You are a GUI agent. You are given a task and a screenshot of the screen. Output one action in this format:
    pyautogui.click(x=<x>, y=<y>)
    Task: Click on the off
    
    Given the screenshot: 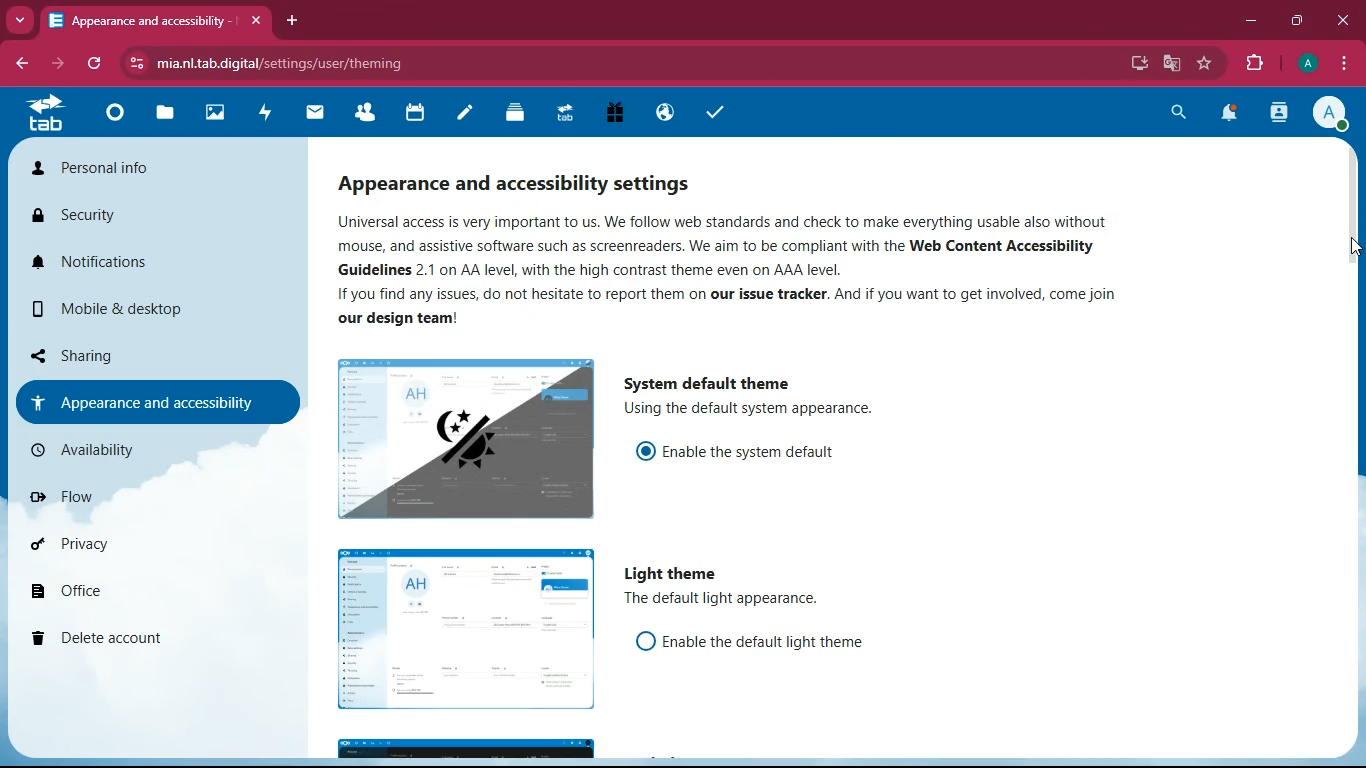 What is the action you would take?
    pyautogui.click(x=644, y=640)
    